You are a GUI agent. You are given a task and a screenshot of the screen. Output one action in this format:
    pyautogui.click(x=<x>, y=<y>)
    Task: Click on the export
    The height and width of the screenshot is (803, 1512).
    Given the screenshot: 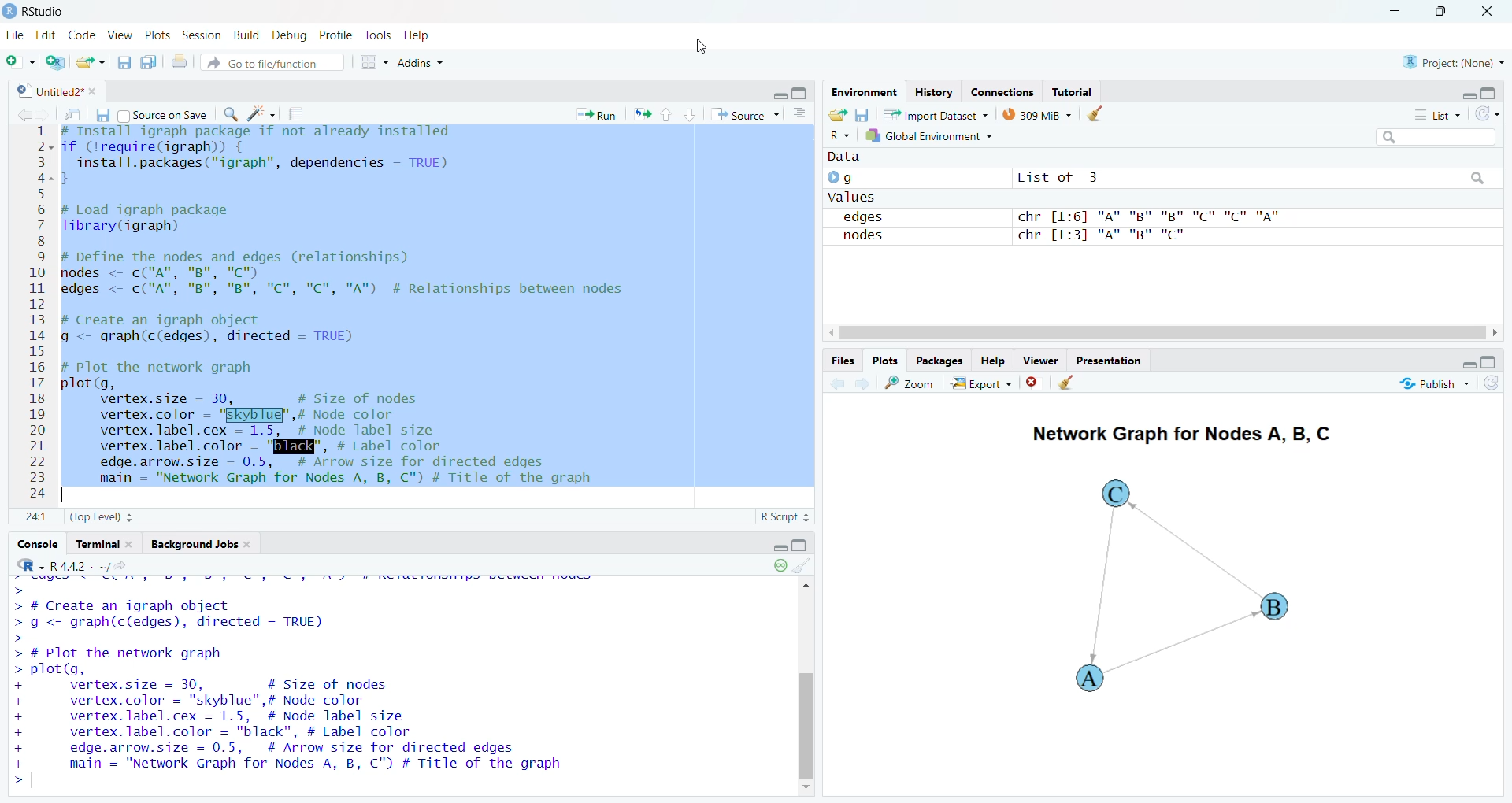 What is the action you would take?
    pyautogui.click(x=90, y=62)
    